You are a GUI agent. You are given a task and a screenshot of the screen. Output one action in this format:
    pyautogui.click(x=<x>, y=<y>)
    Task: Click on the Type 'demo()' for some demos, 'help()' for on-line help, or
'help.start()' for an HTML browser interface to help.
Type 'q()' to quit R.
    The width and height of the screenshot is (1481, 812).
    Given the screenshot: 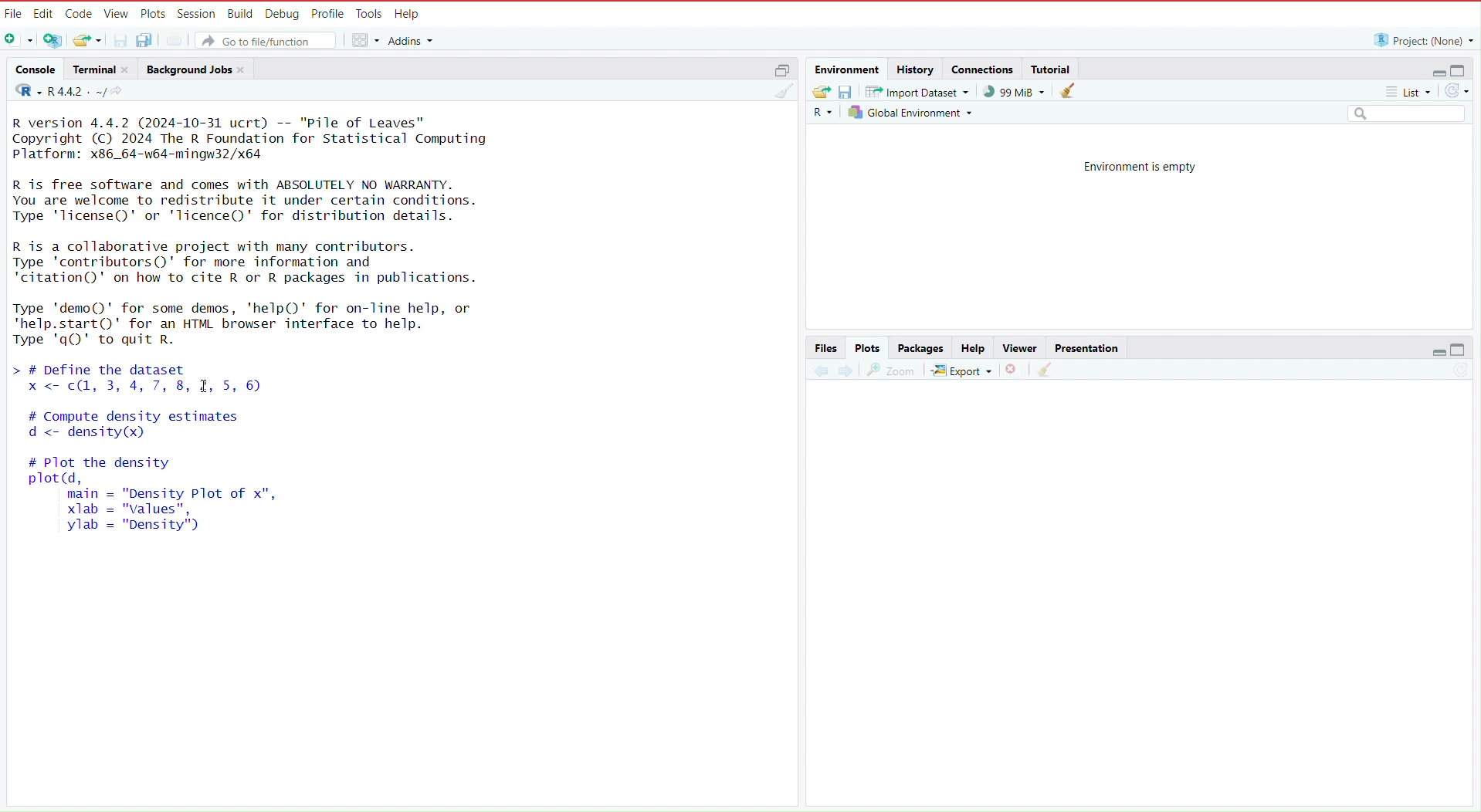 What is the action you would take?
    pyautogui.click(x=256, y=323)
    